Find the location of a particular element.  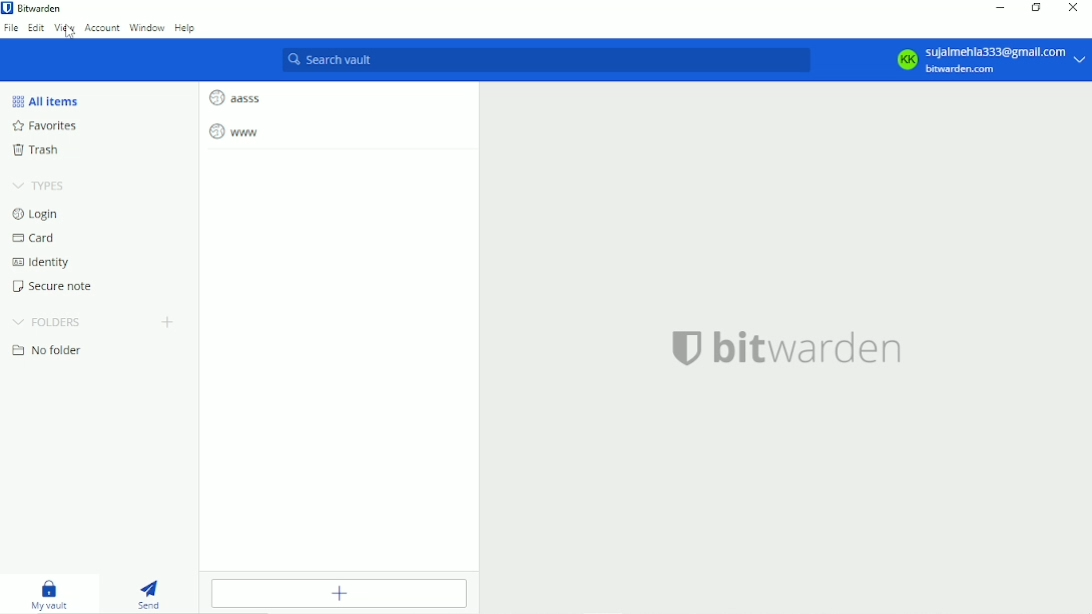

Folders is located at coordinates (51, 321).